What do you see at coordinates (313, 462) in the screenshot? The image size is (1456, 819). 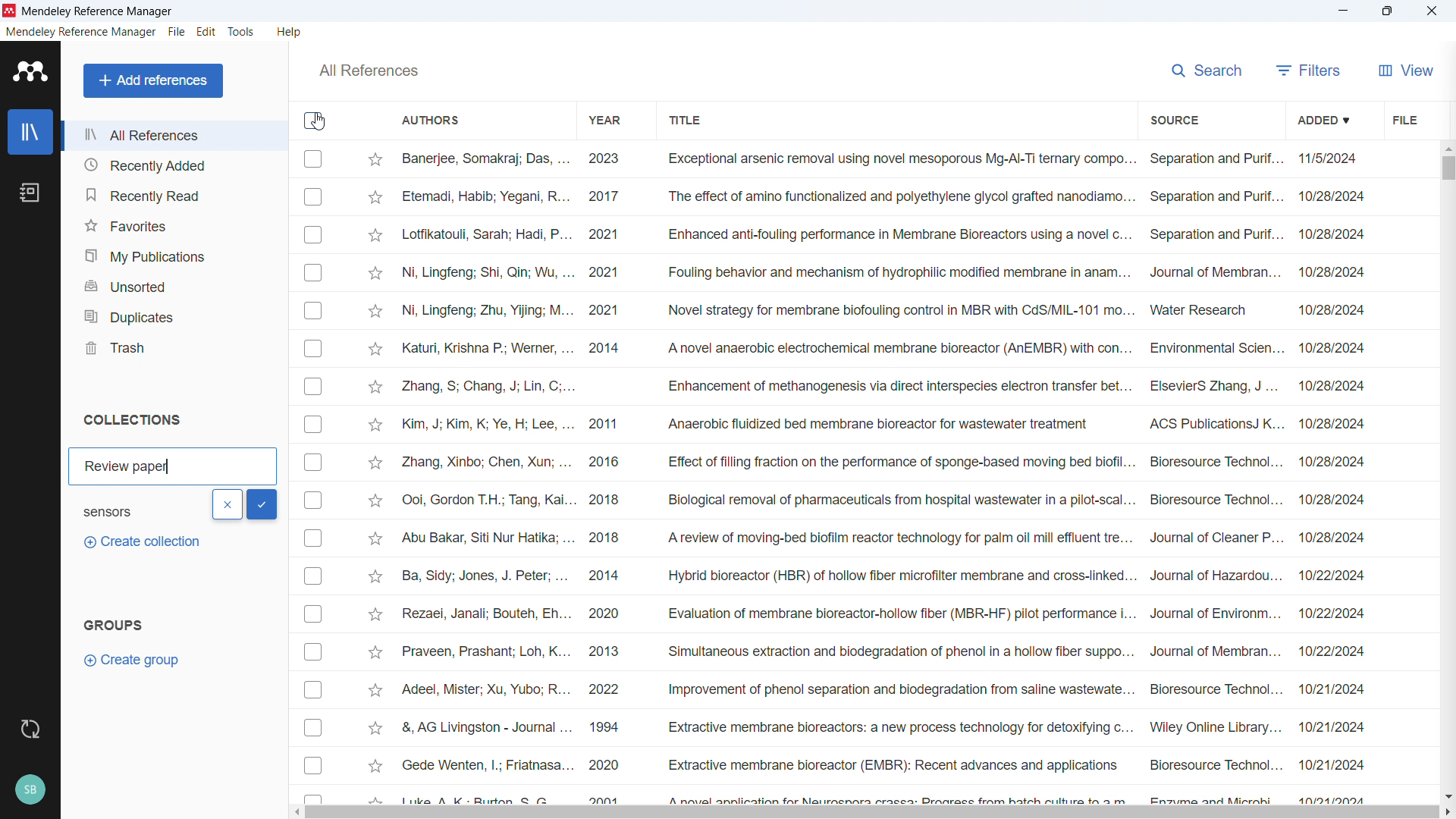 I see `Select respective publication` at bounding box center [313, 462].